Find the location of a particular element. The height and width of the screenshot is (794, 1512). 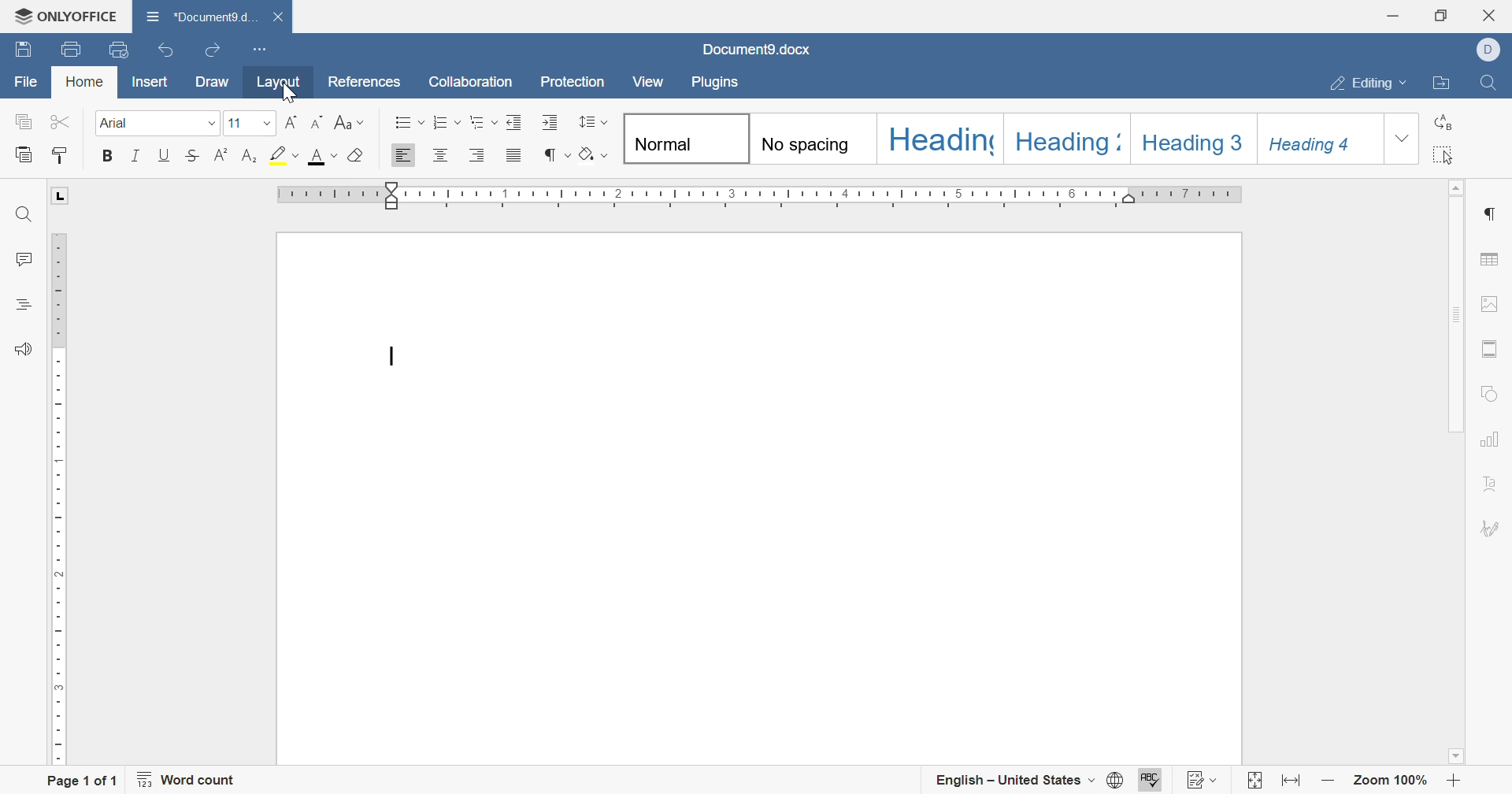

bold is located at coordinates (103, 155).